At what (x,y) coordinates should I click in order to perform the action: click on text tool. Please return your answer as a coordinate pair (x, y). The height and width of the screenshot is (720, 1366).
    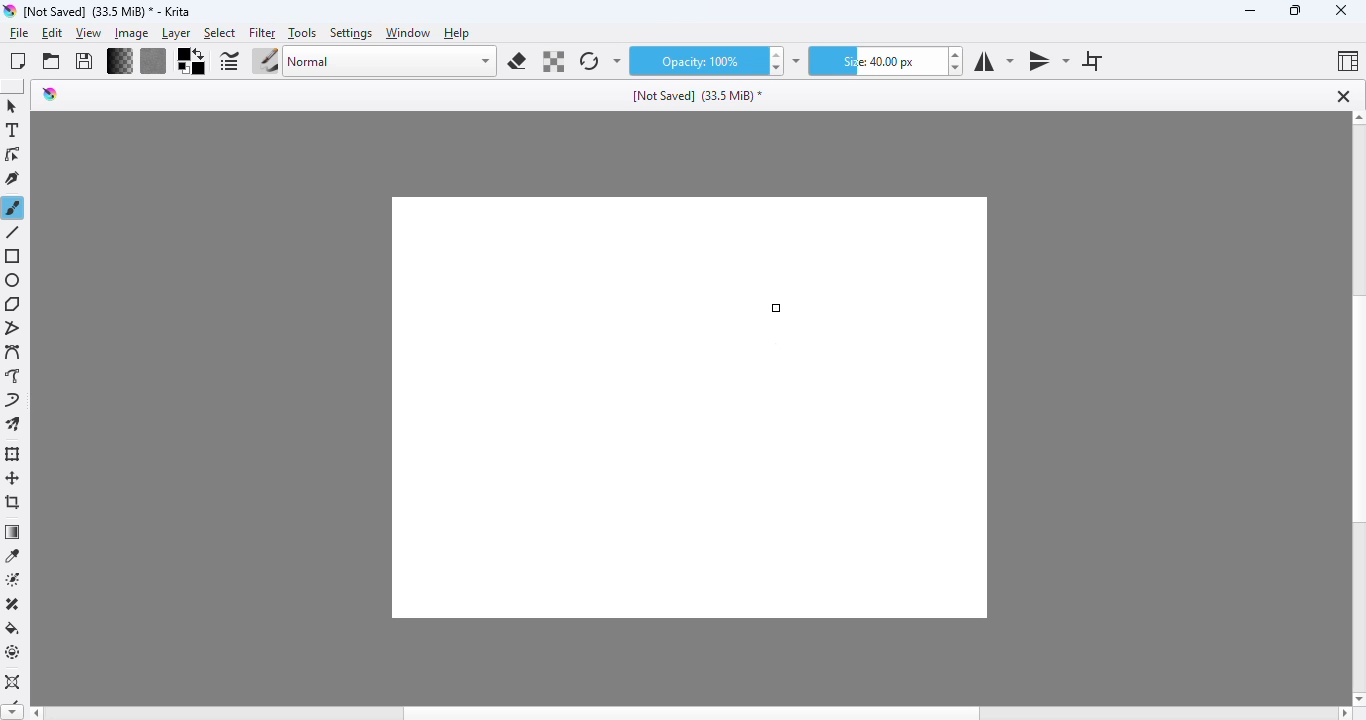
    Looking at the image, I should click on (13, 130).